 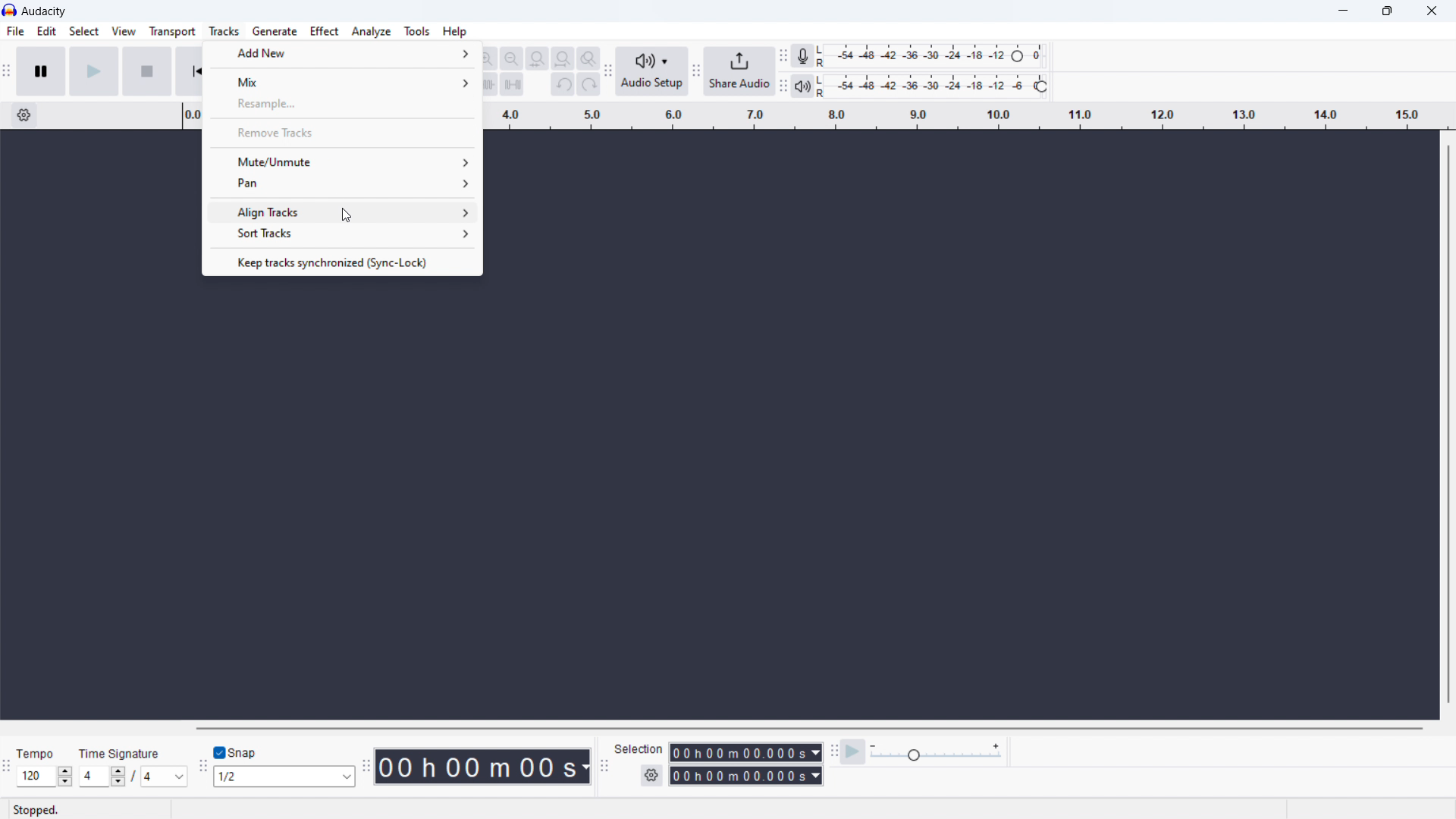 What do you see at coordinates (588, 84) in the screenshot?
I see `redo` at bounding box center [588, 84].